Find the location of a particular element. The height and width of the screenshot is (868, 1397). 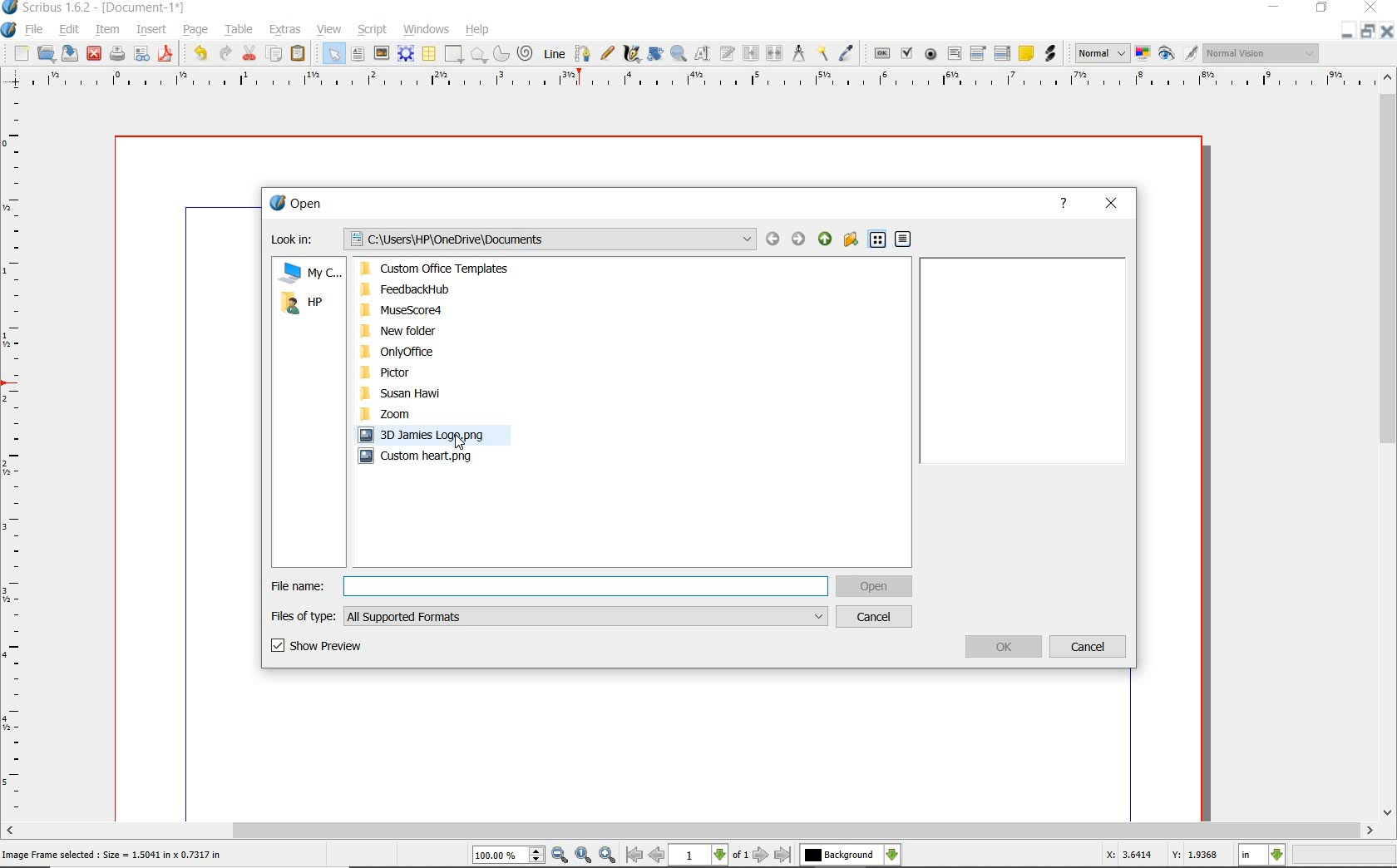

toggle color management system is located at coordinates (1144, 55).